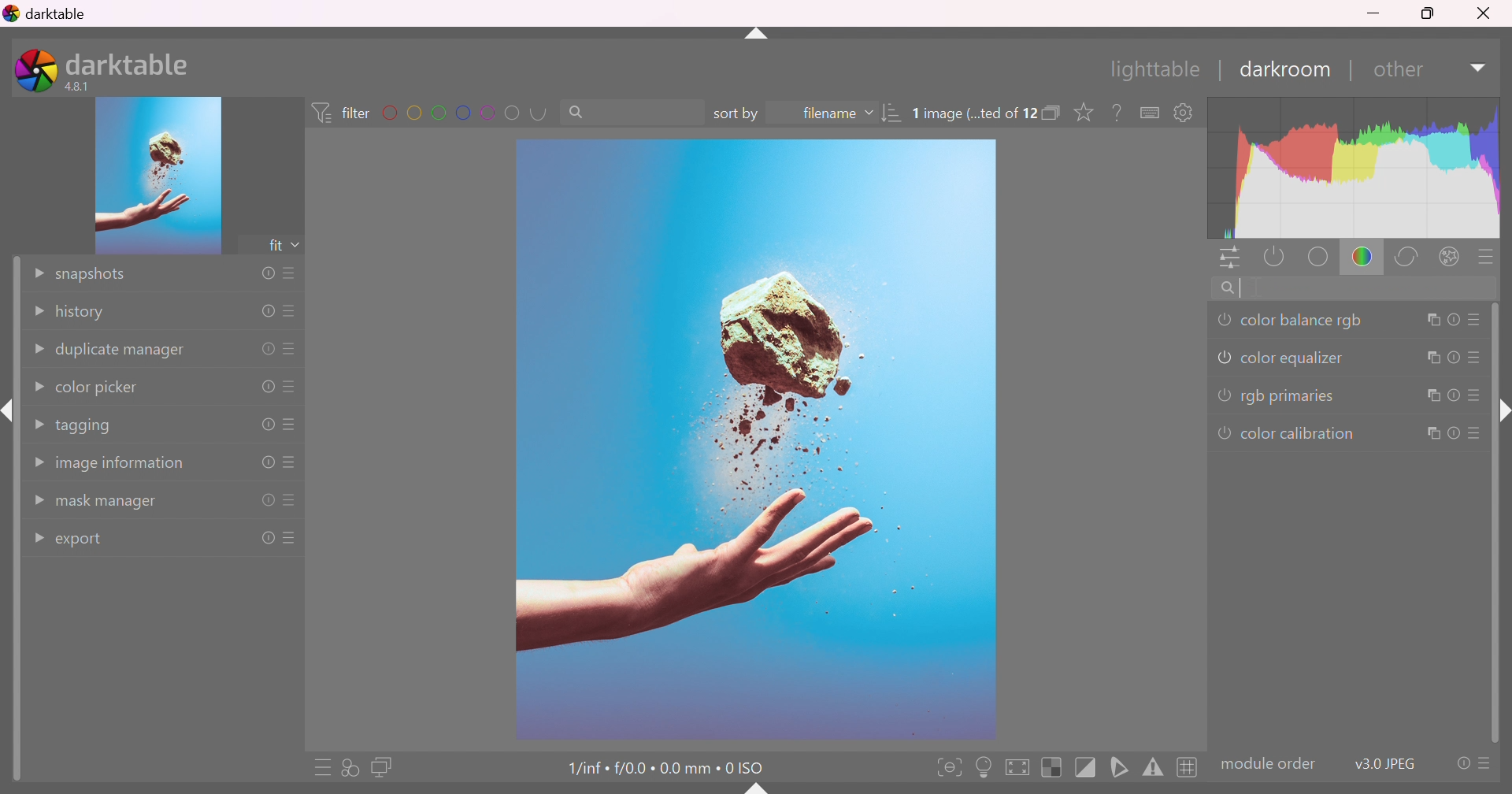 Image resolution: width=1512 pixels, height=794 pixels. I want to click on Drop Down, so click(35, 388).